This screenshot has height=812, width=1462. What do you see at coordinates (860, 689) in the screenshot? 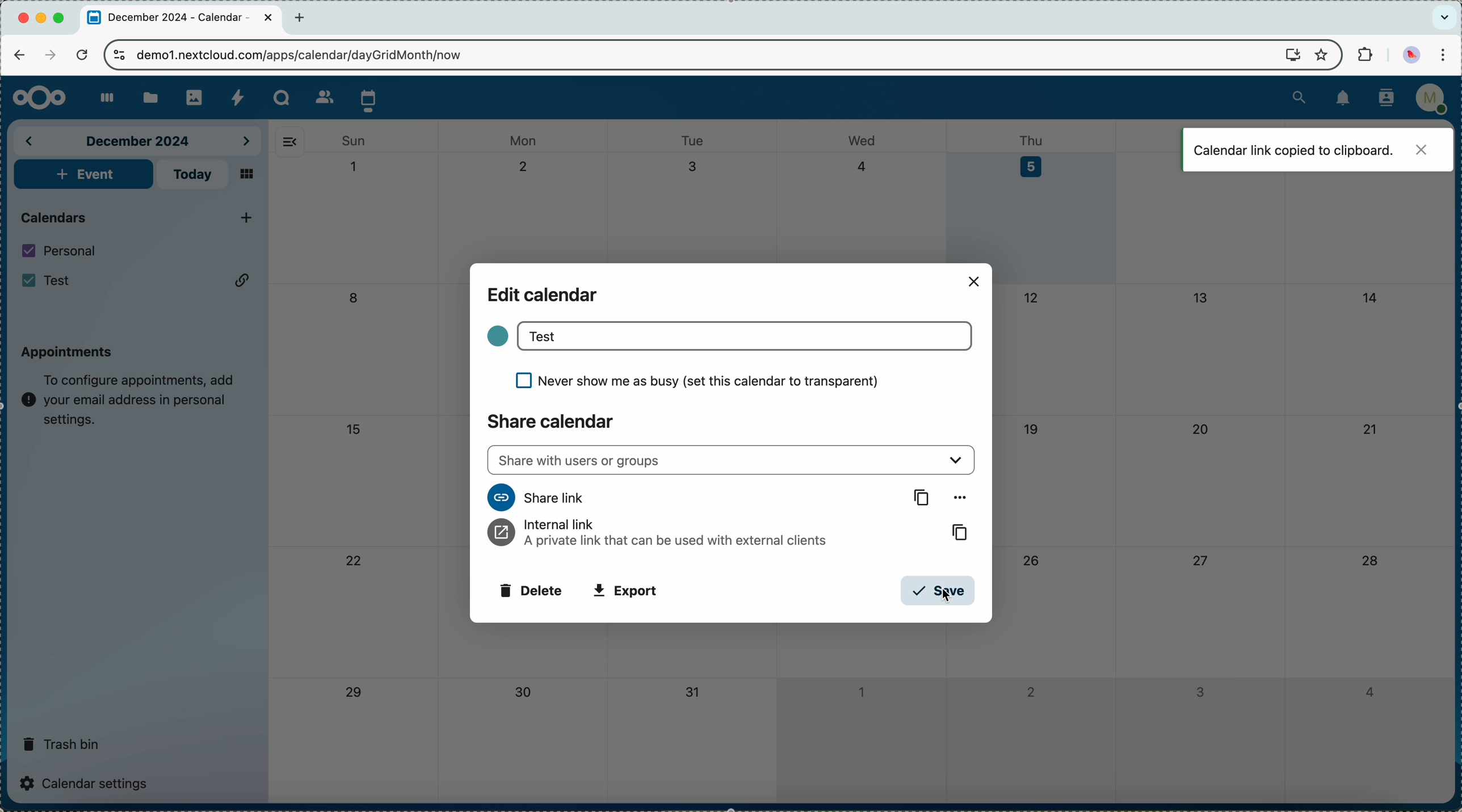
I see `1` at bounding box center [860, 689].